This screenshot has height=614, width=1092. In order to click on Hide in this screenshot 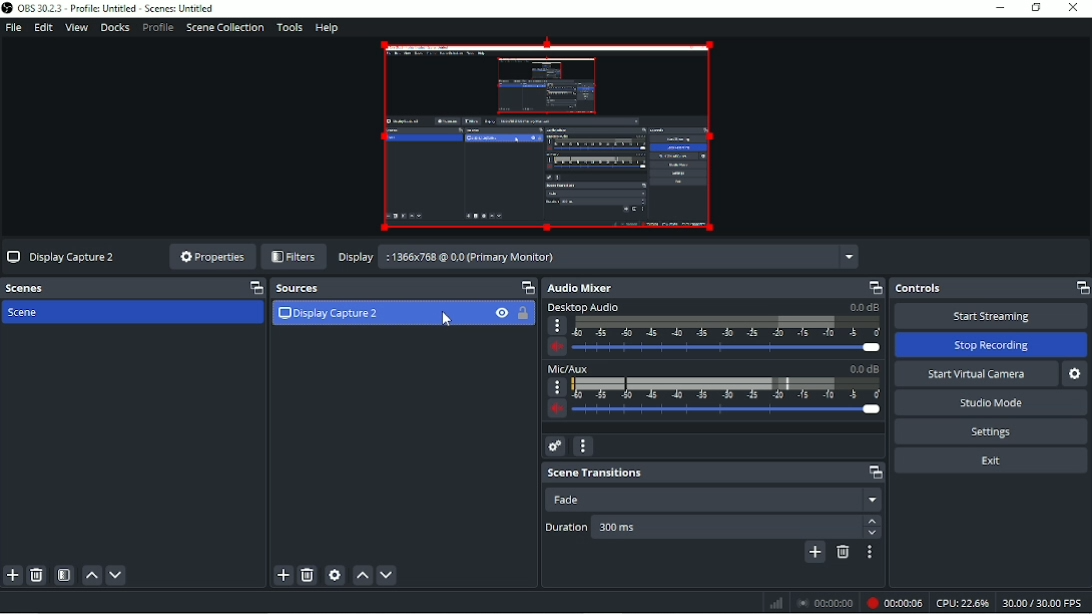, I will do `click(500, 313)`.